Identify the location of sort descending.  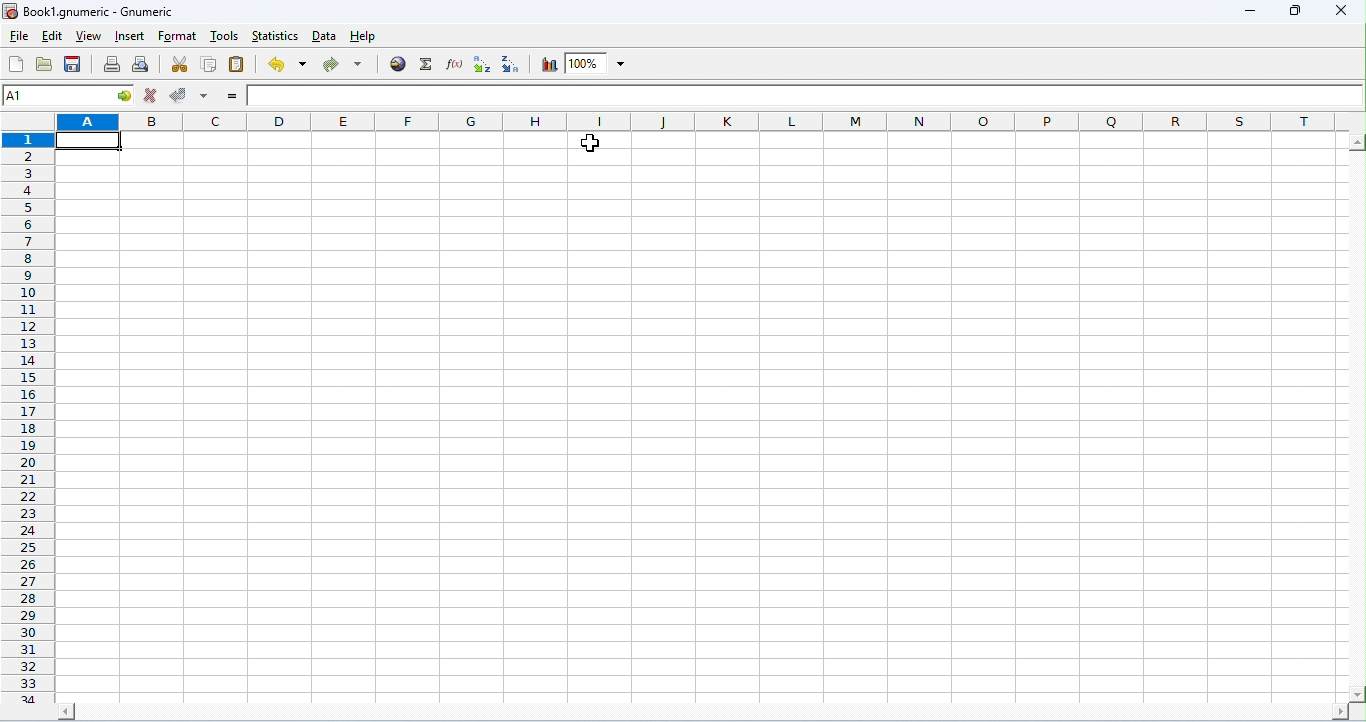
(512, 64).